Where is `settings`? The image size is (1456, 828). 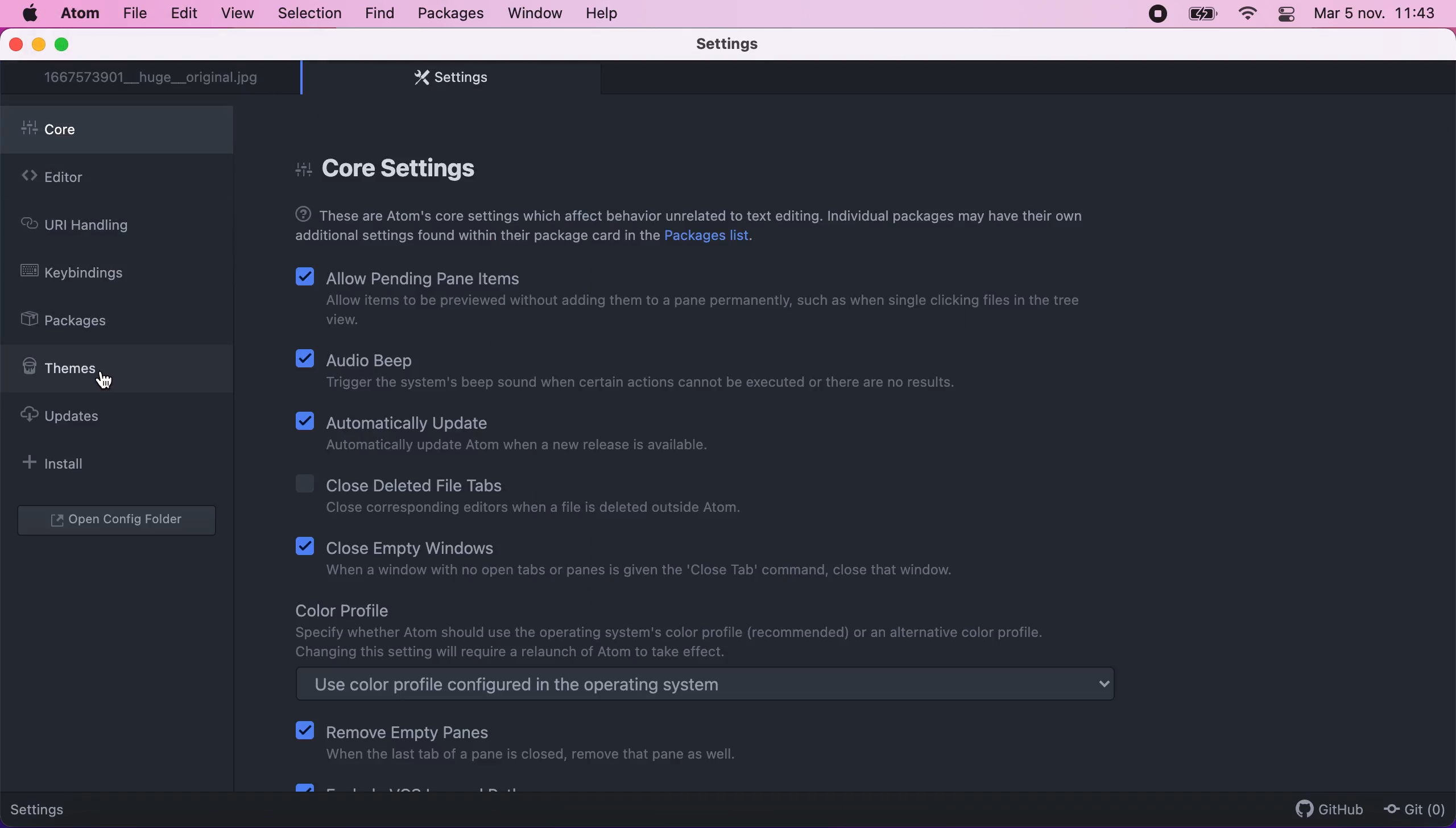 settings is located at coordinates (734, 45).